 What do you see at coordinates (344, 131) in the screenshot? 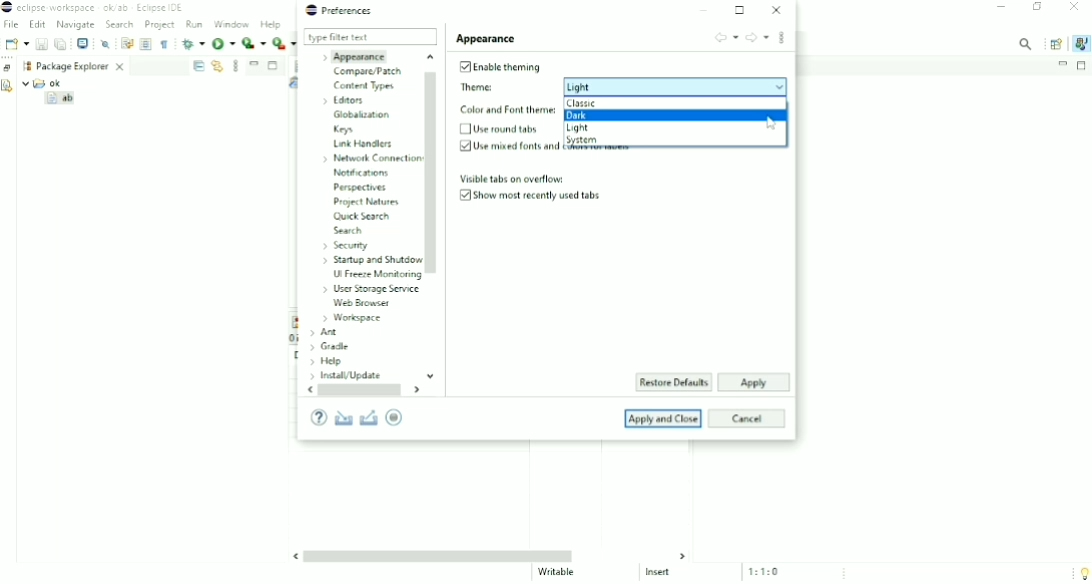
I see `Keys` at bounding box center [344, 131].